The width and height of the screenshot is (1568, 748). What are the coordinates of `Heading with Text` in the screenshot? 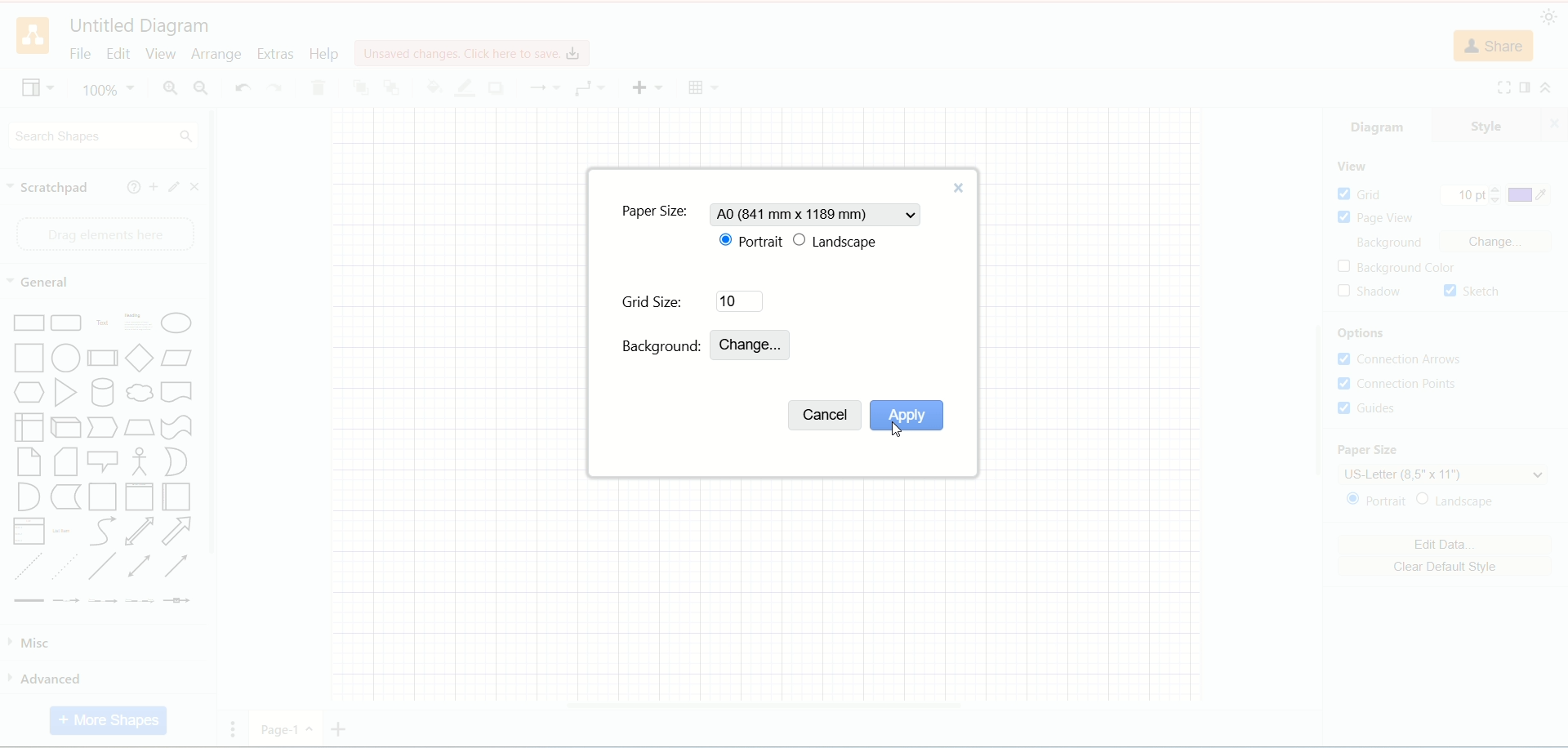 It's located at (139, 324).